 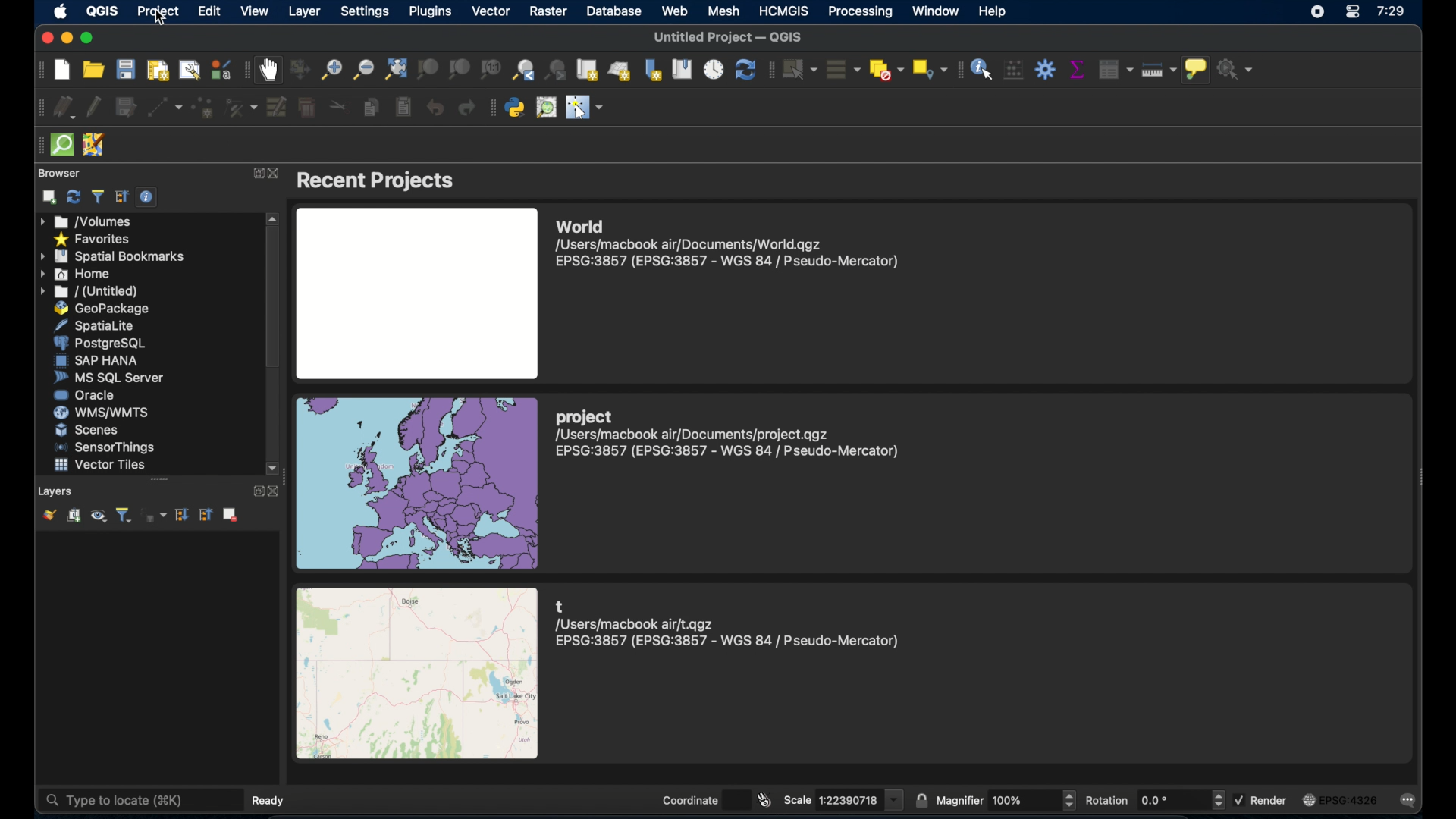 I want to click on osm place search, so click(x=548, y=108).